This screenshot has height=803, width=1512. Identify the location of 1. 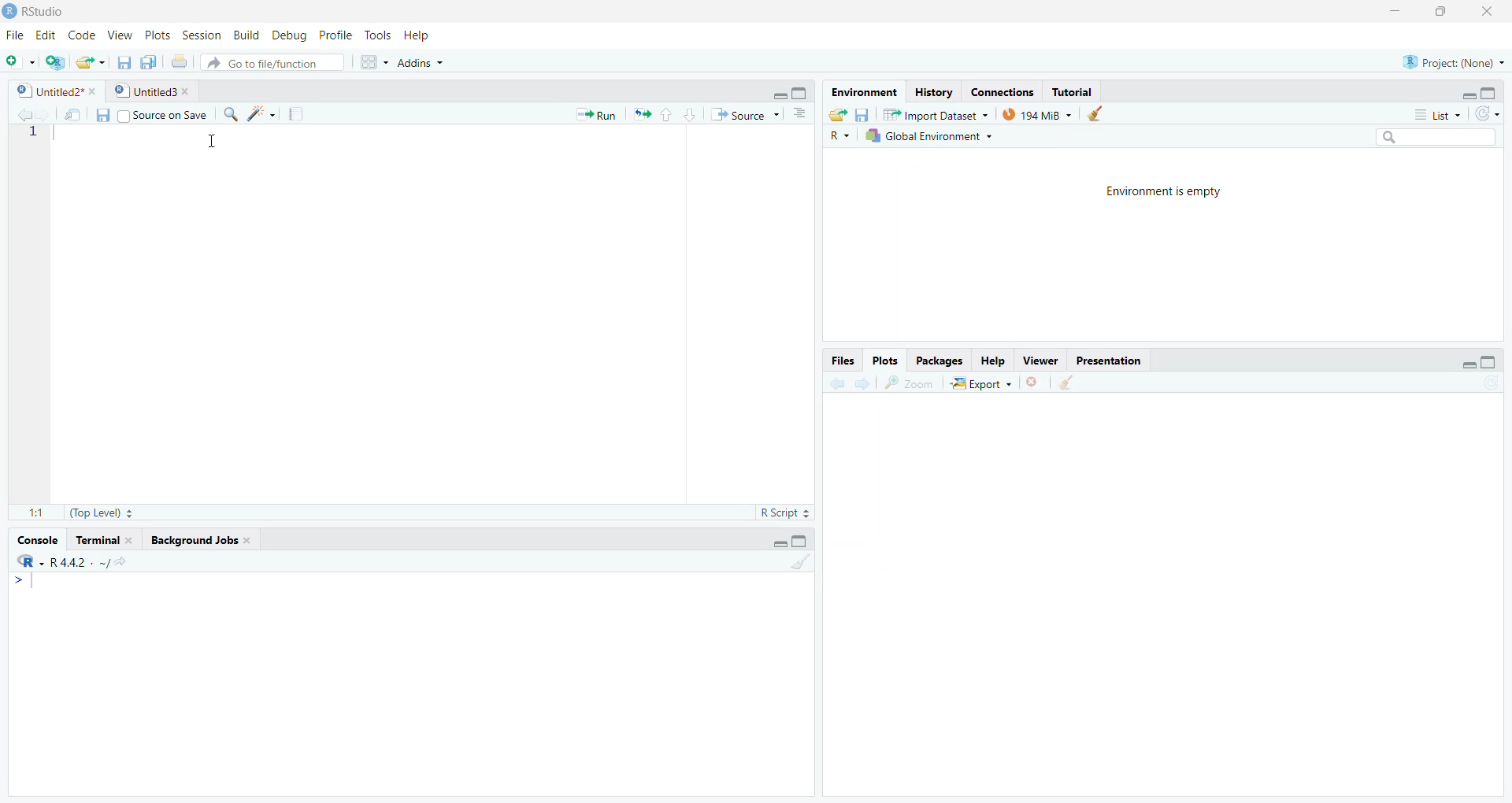
(36, 135).